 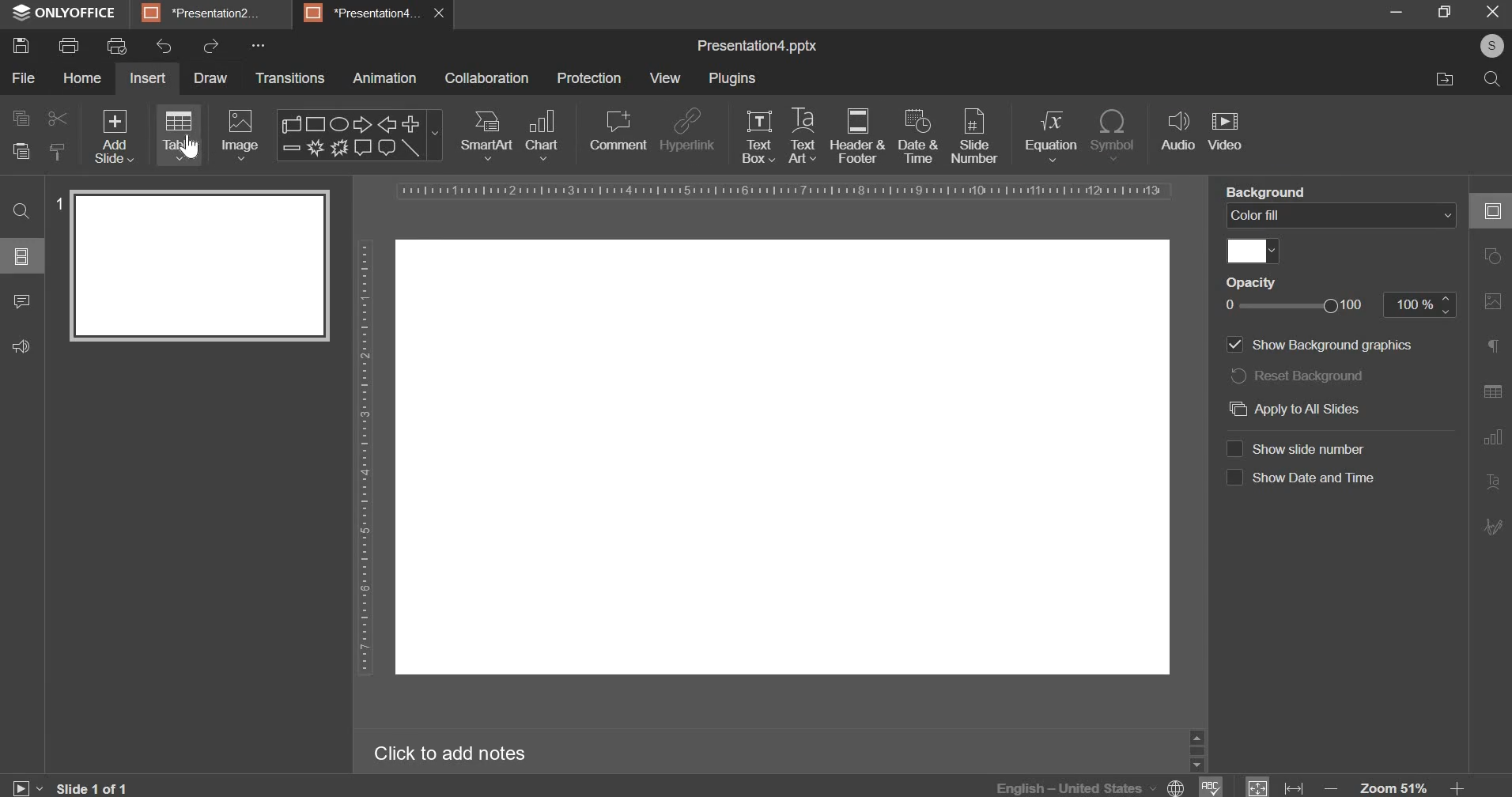 What do you see at coordinates (1302, 477) in the screenshot?
I see `show date and time` at bounding box center [1302, 477].